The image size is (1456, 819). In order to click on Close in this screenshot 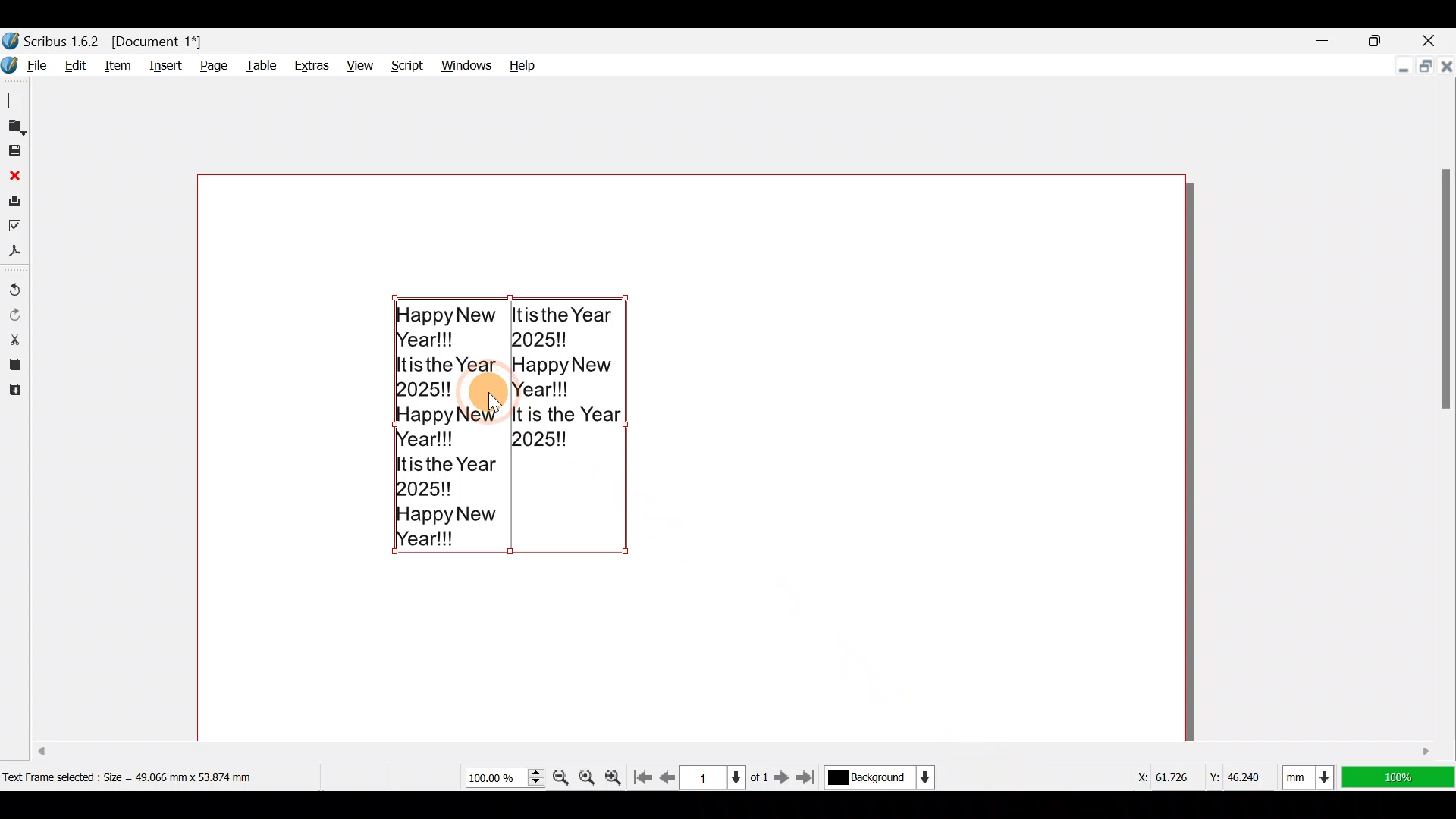, I will do `click(1437, 37)`.